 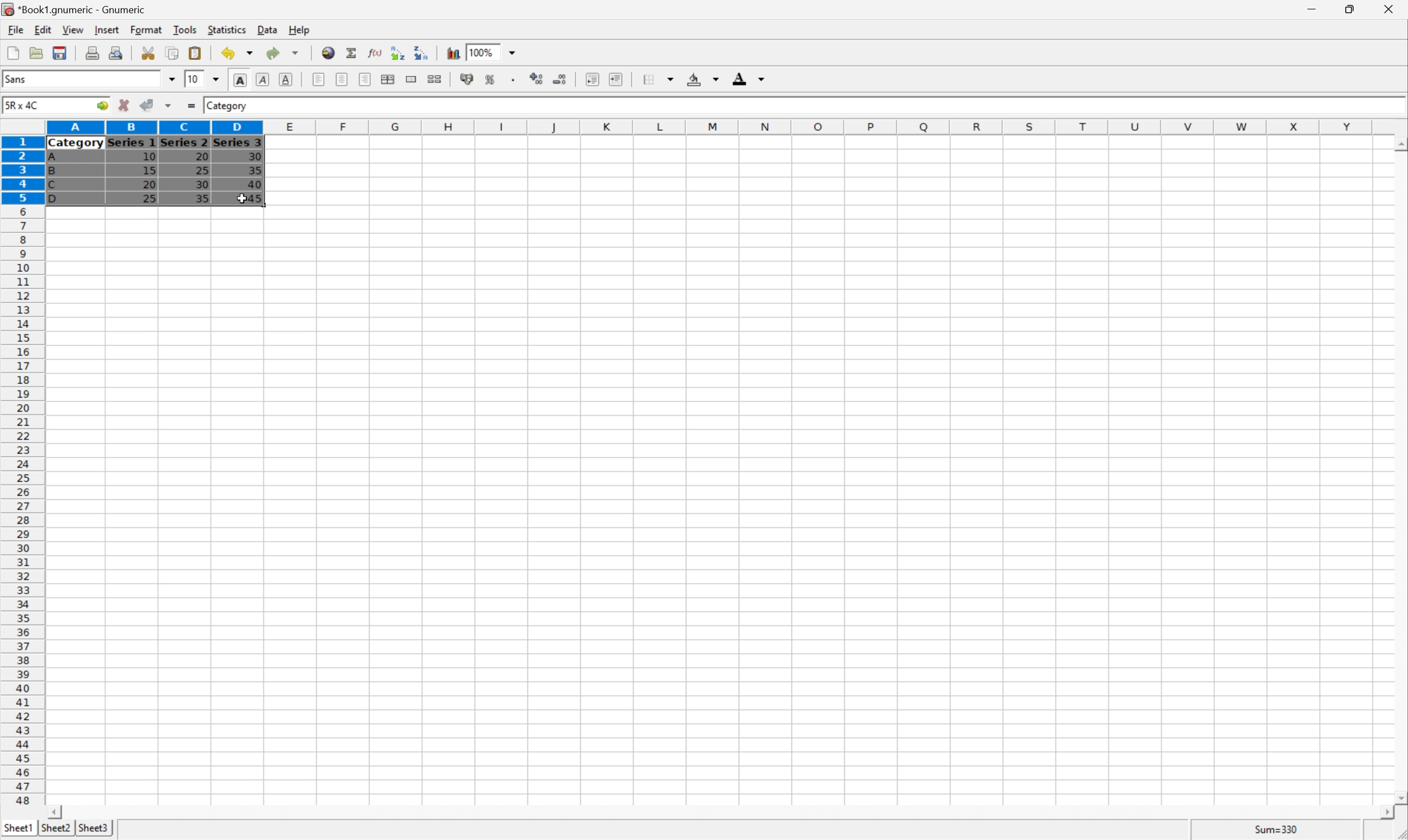 What do you see at coordinates (172, 79) in the screenshot?
I see `Drop Down` at bounding box center [172, 79].